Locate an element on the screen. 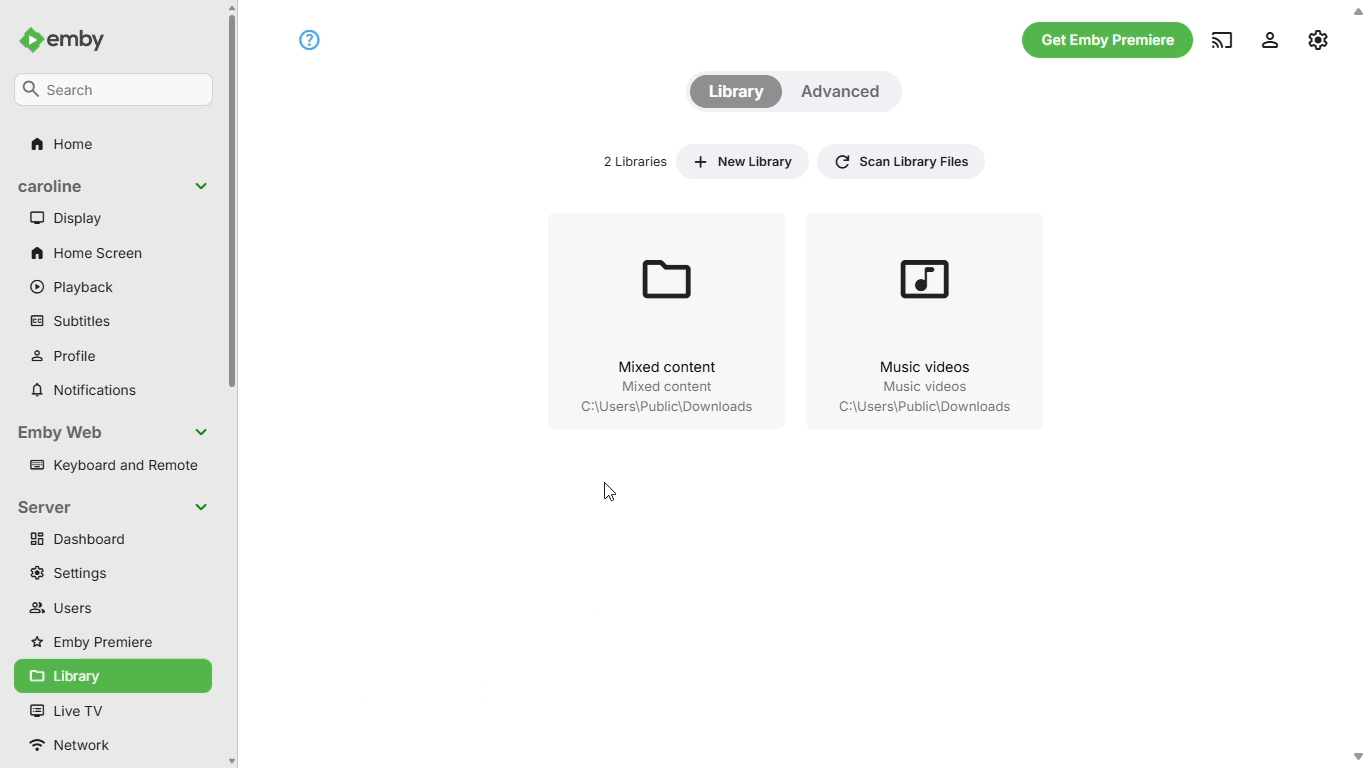 This screenshot has width=1366, height=768. Music videos
Music videos
Ci\Users\Public\Downloads is located at coordinates (919, 392).